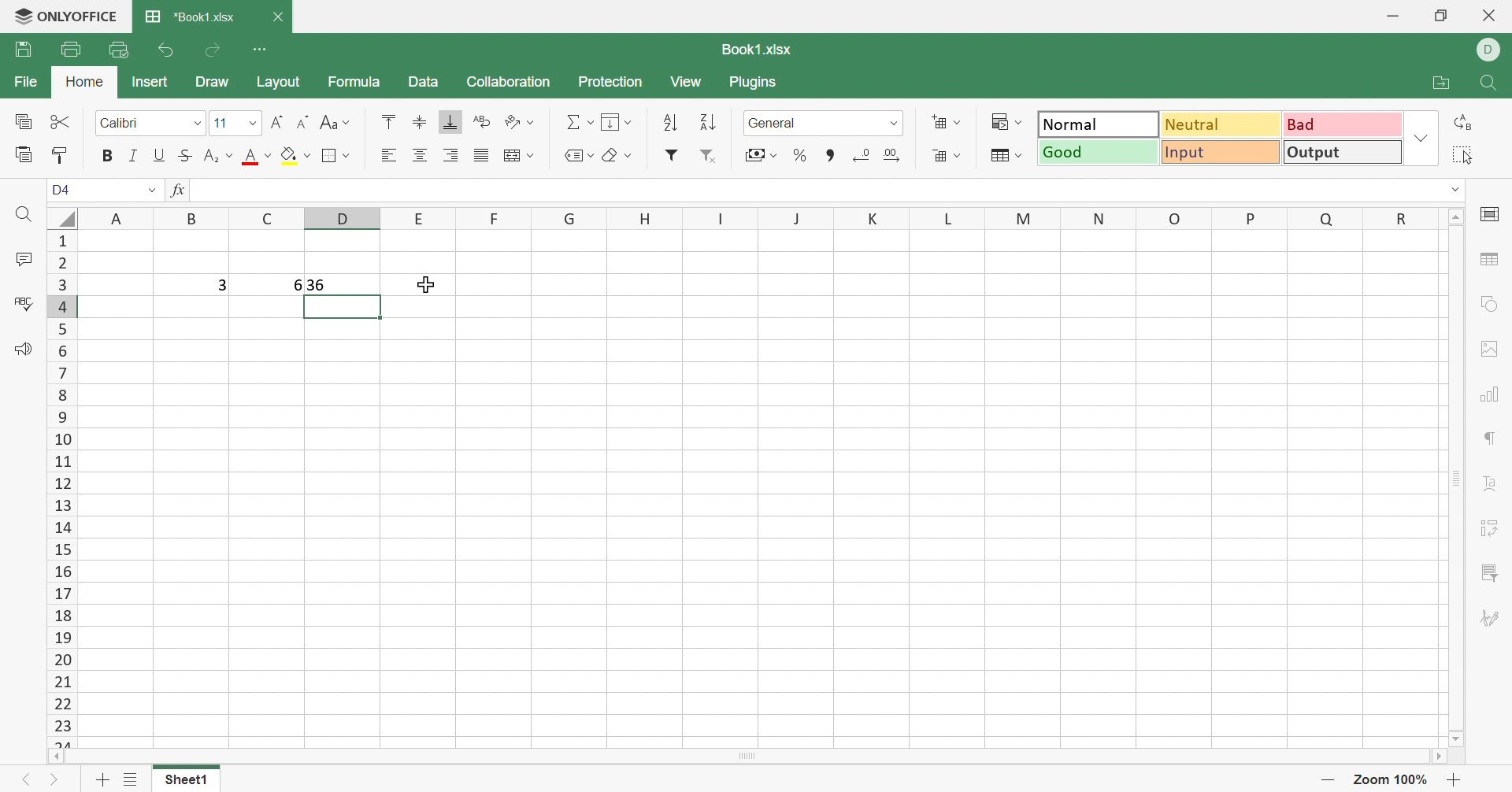  What do you see at coordinates (705, 154) in the screenshot?
I see `Remove filter` at bounding box center [705, 154].